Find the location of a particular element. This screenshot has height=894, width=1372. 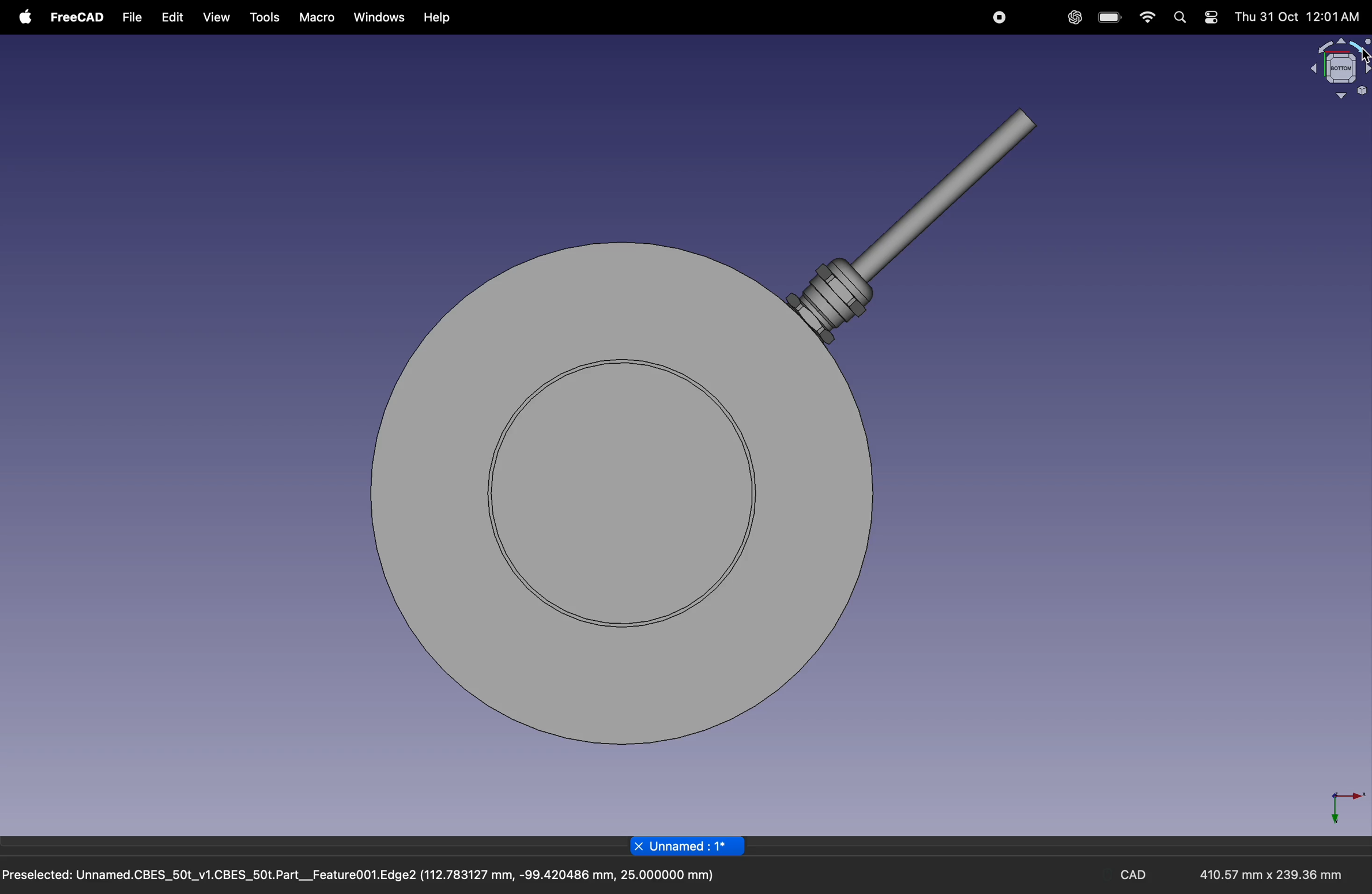

Preselected: Unnamed.CBES_50t_v1.CBES_50t.Part__Feature001.Edge2 (112.783127 mm, -99.420486 mm, 25.000000 mm) is located at coordinates (363, 874).